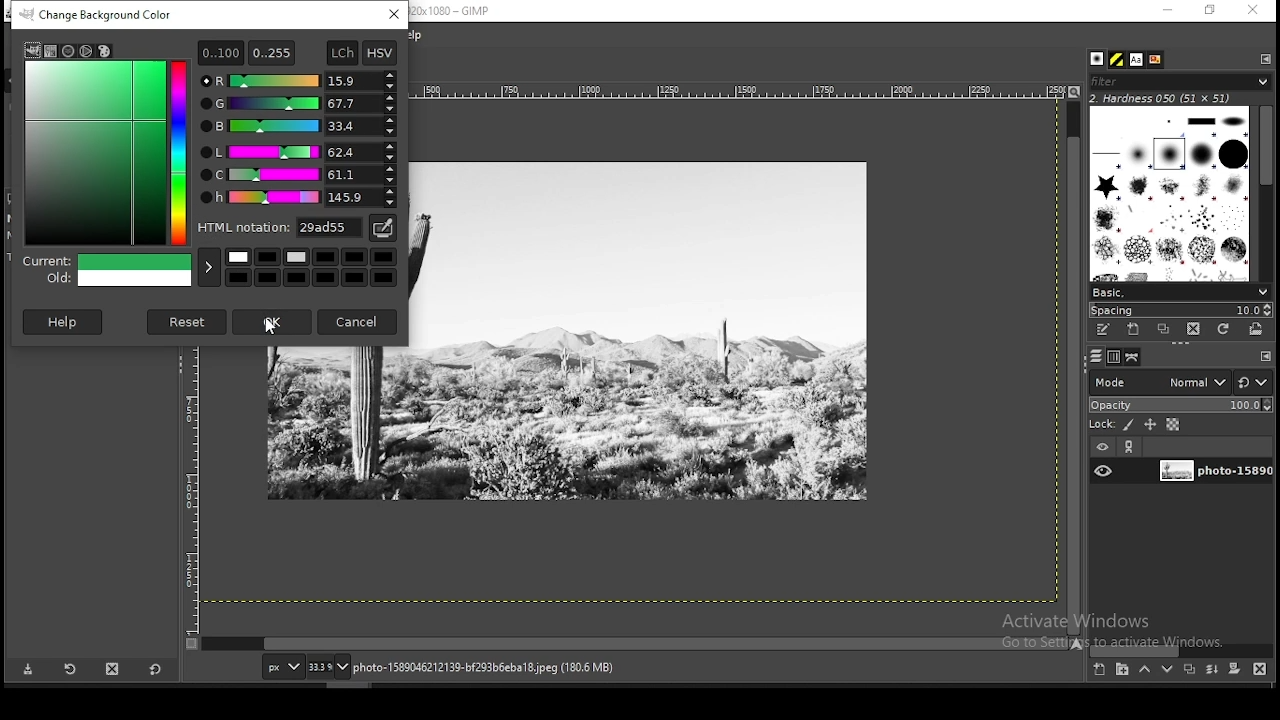 Image resolution: width=1280 pixels, height=720 pixels. I want to click on hardness 050, so click(1185, 98).